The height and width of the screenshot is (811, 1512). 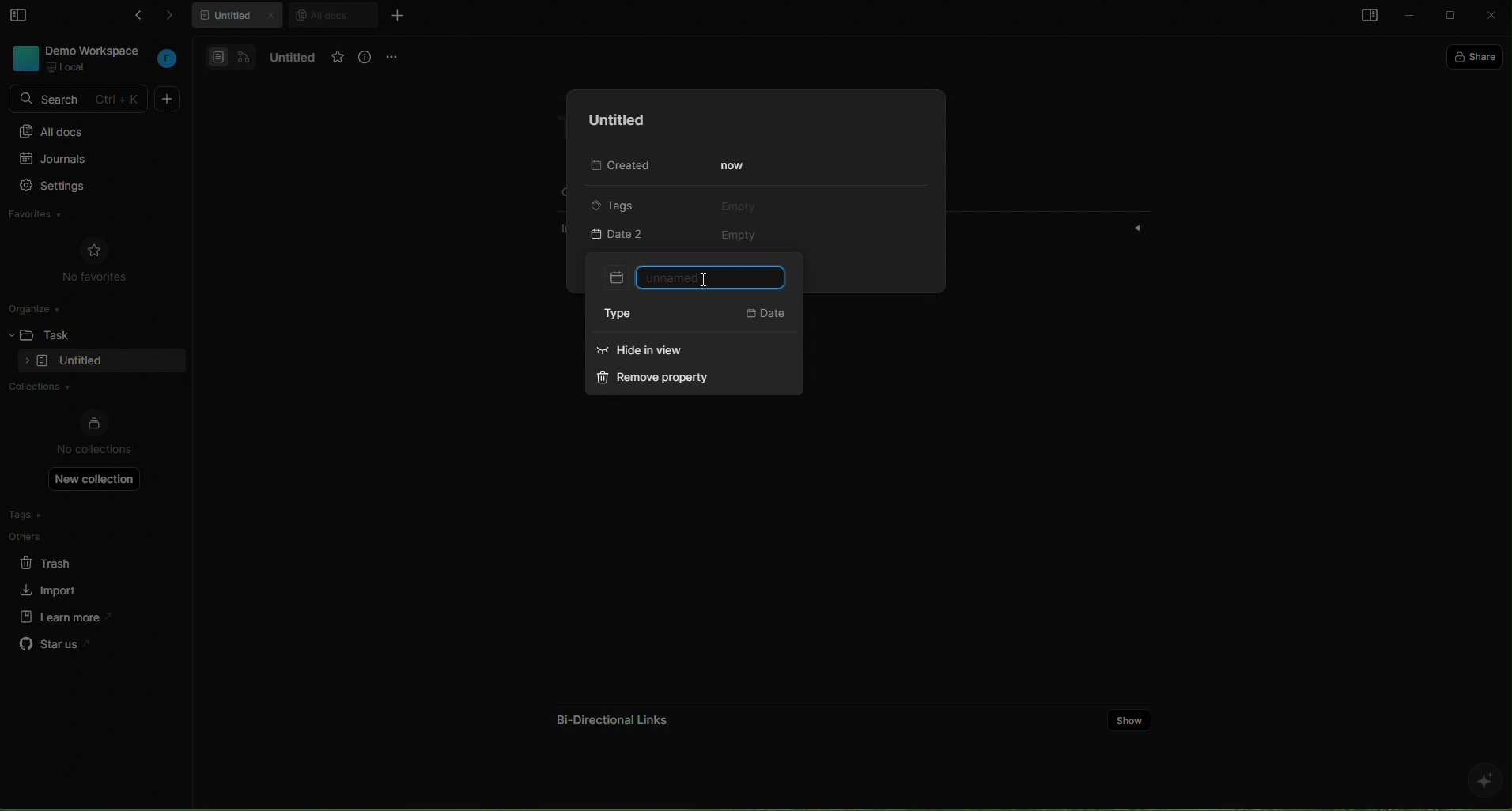 What do you see at coordinates (51, 588) in the screenshot?
I see `import` at bounding box center [51, 588].